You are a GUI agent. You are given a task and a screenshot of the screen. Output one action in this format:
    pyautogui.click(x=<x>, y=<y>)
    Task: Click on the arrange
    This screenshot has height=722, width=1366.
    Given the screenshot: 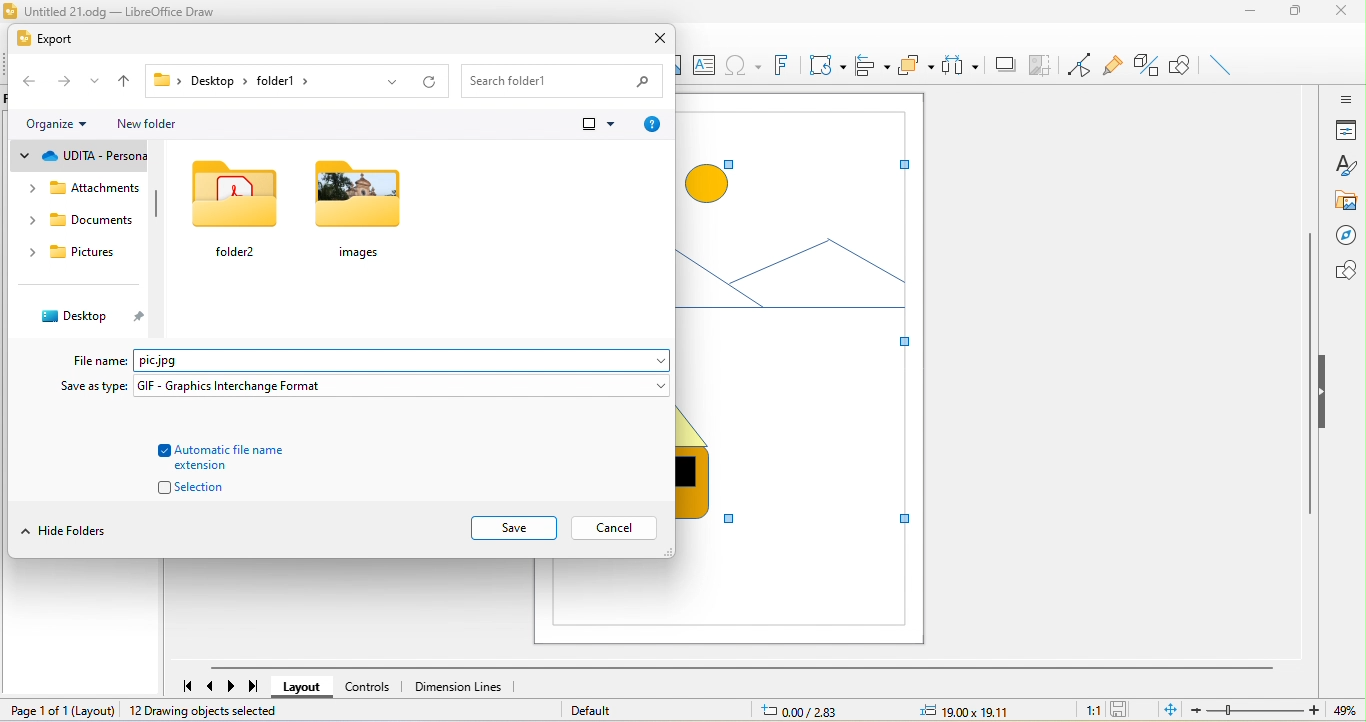 What is the action you would take?
    pyautogui.click(x=918, y=65)
    